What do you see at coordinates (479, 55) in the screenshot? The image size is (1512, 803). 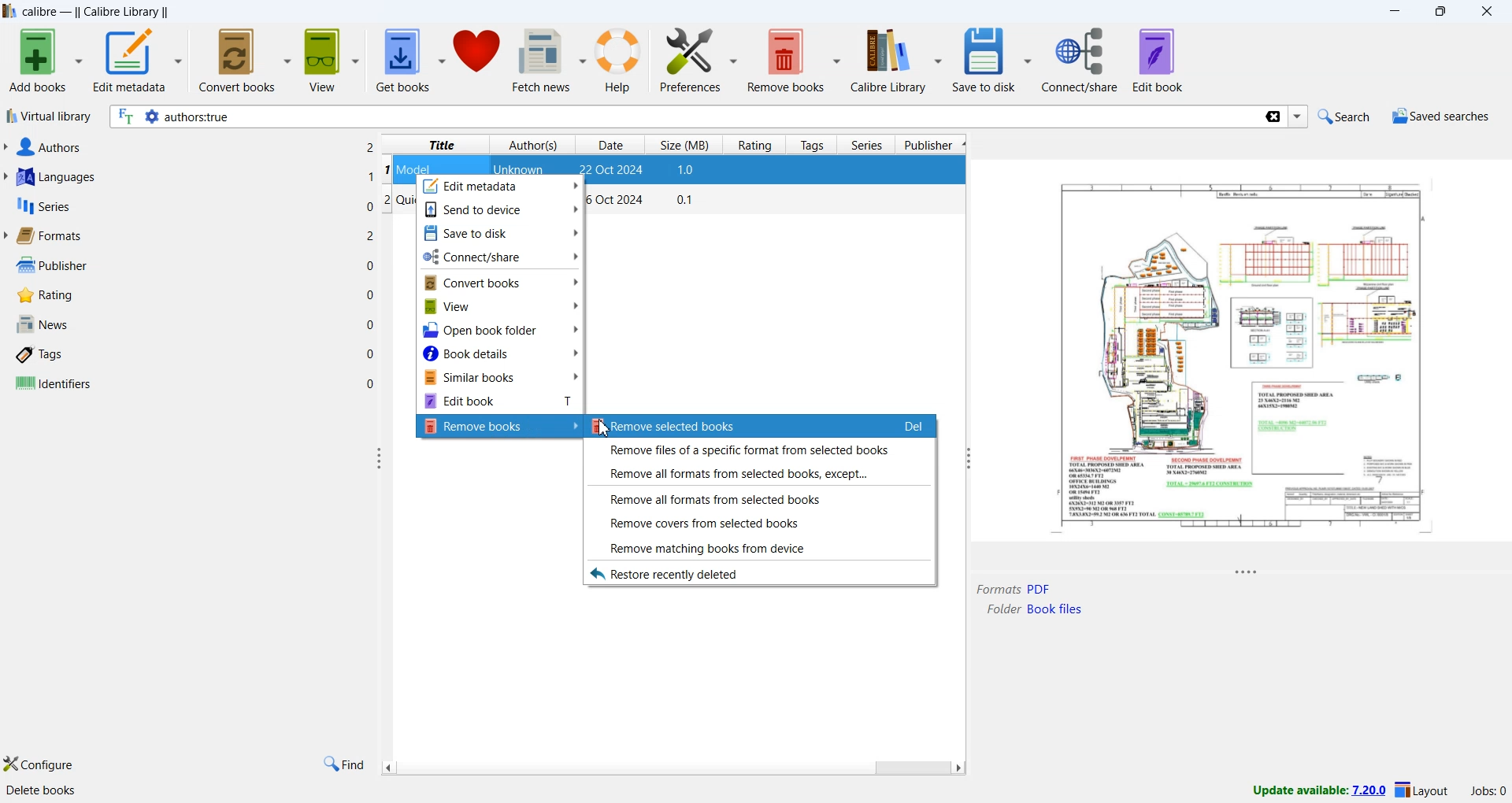 I see `donate to support calibre` at bounding box center [479, 55].